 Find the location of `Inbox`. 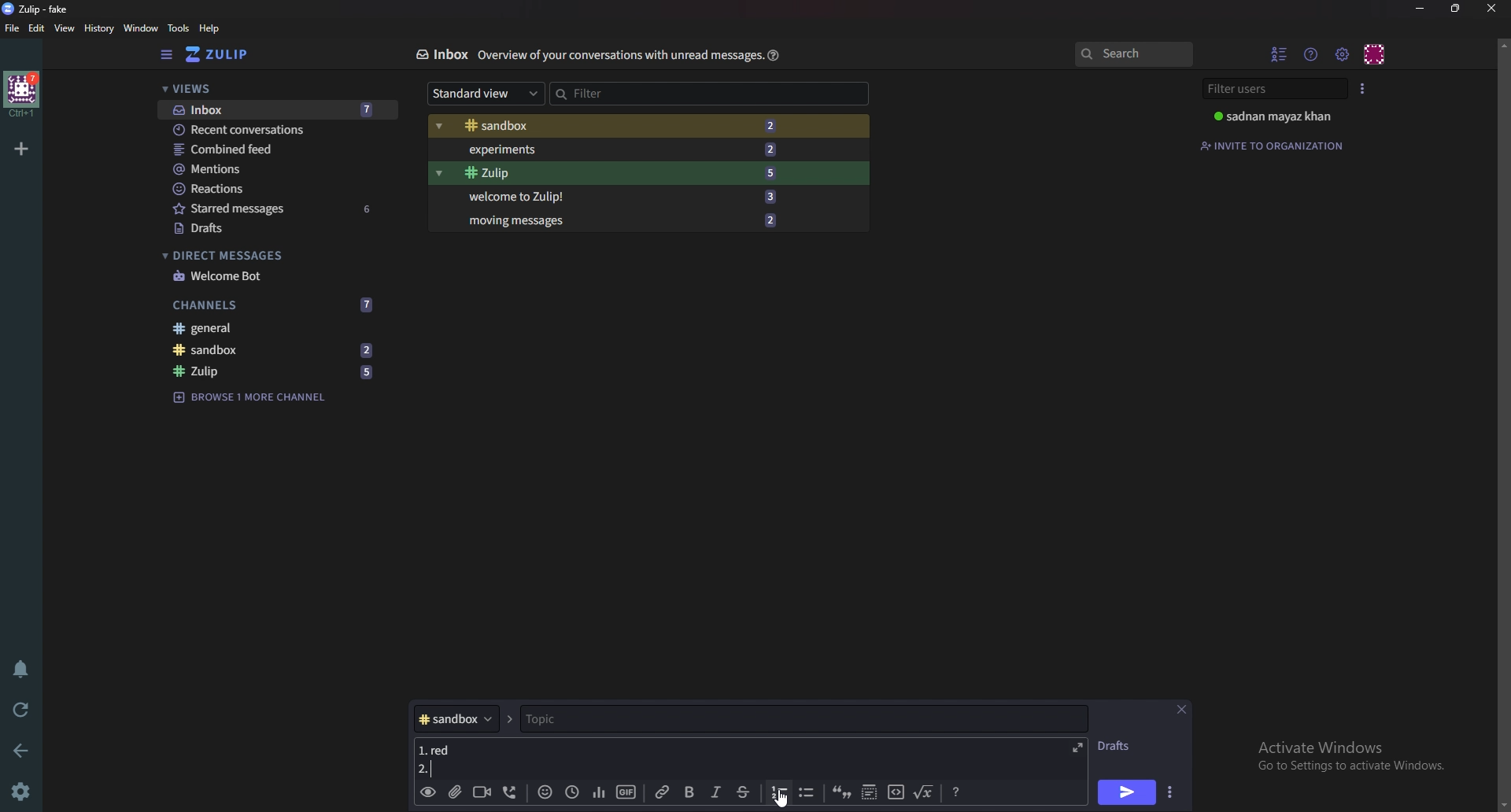

Inbox is located at coordinates (272, 109).